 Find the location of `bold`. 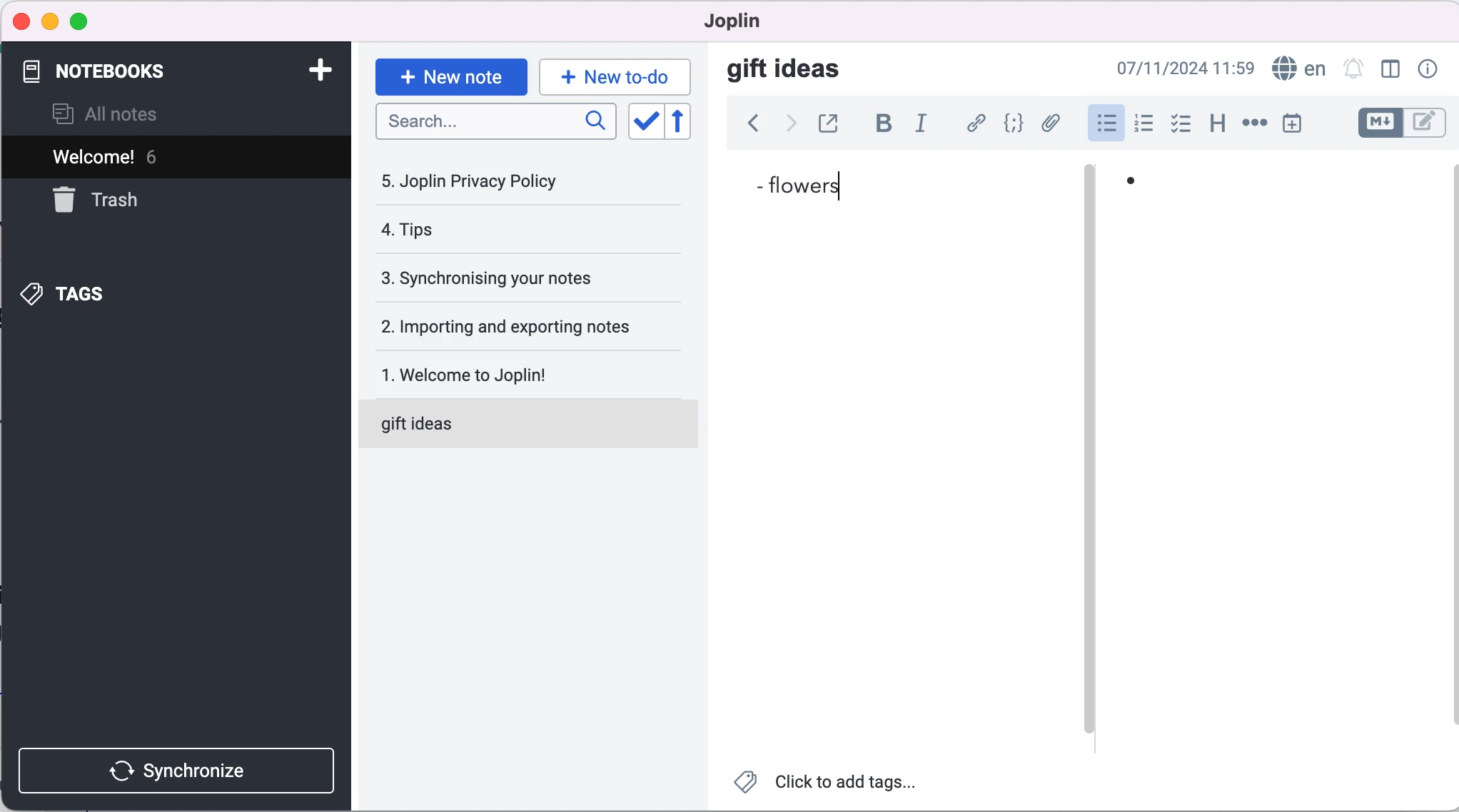

bold is located at coordinates (884, 124).